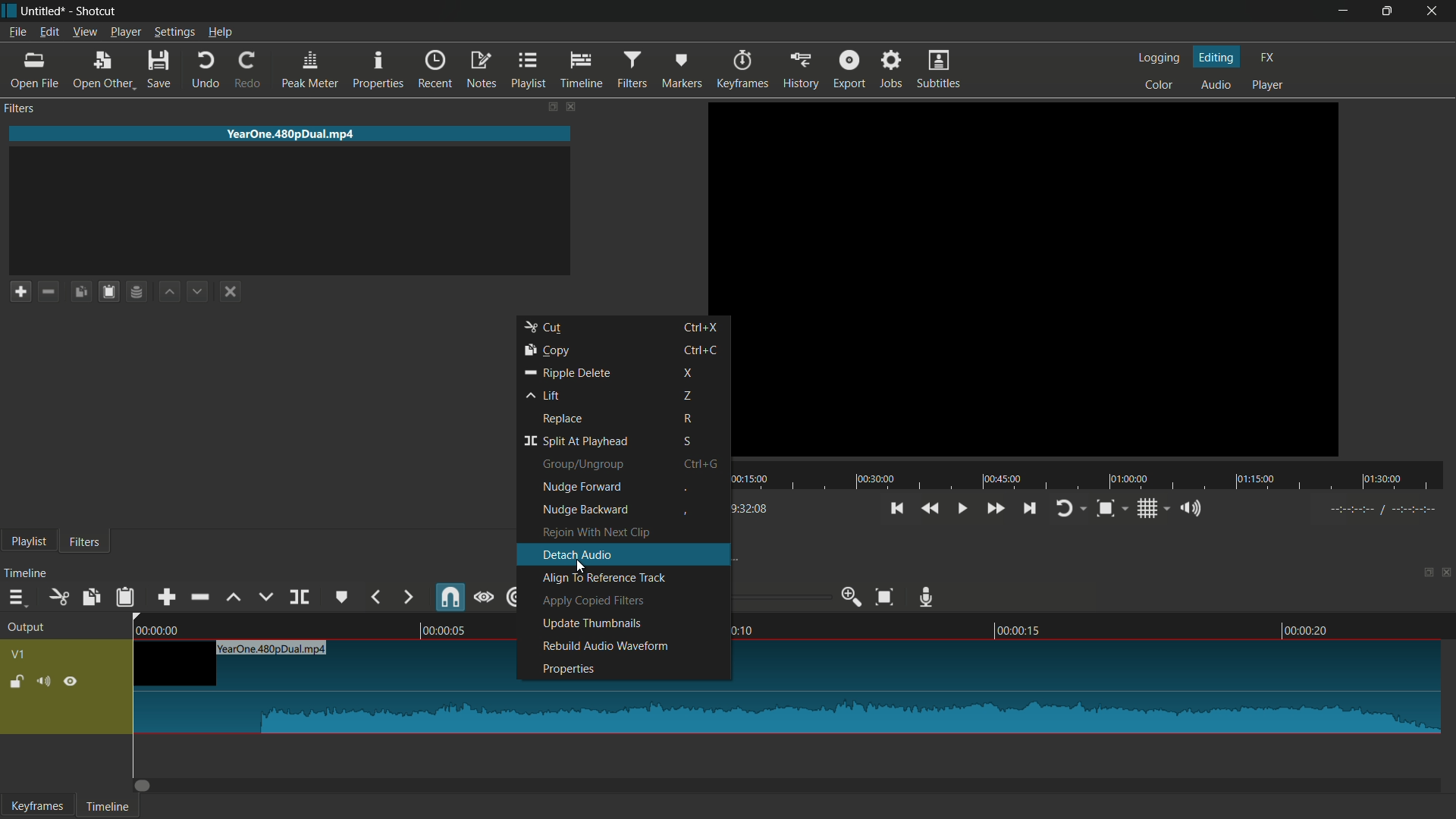 Image resolution: width=1456 pixels, height=819 pixels. What do you see at coordinates (699, 465) in the screenshot?
I see `keyboard shortcut` at bounding box center [699, 465].